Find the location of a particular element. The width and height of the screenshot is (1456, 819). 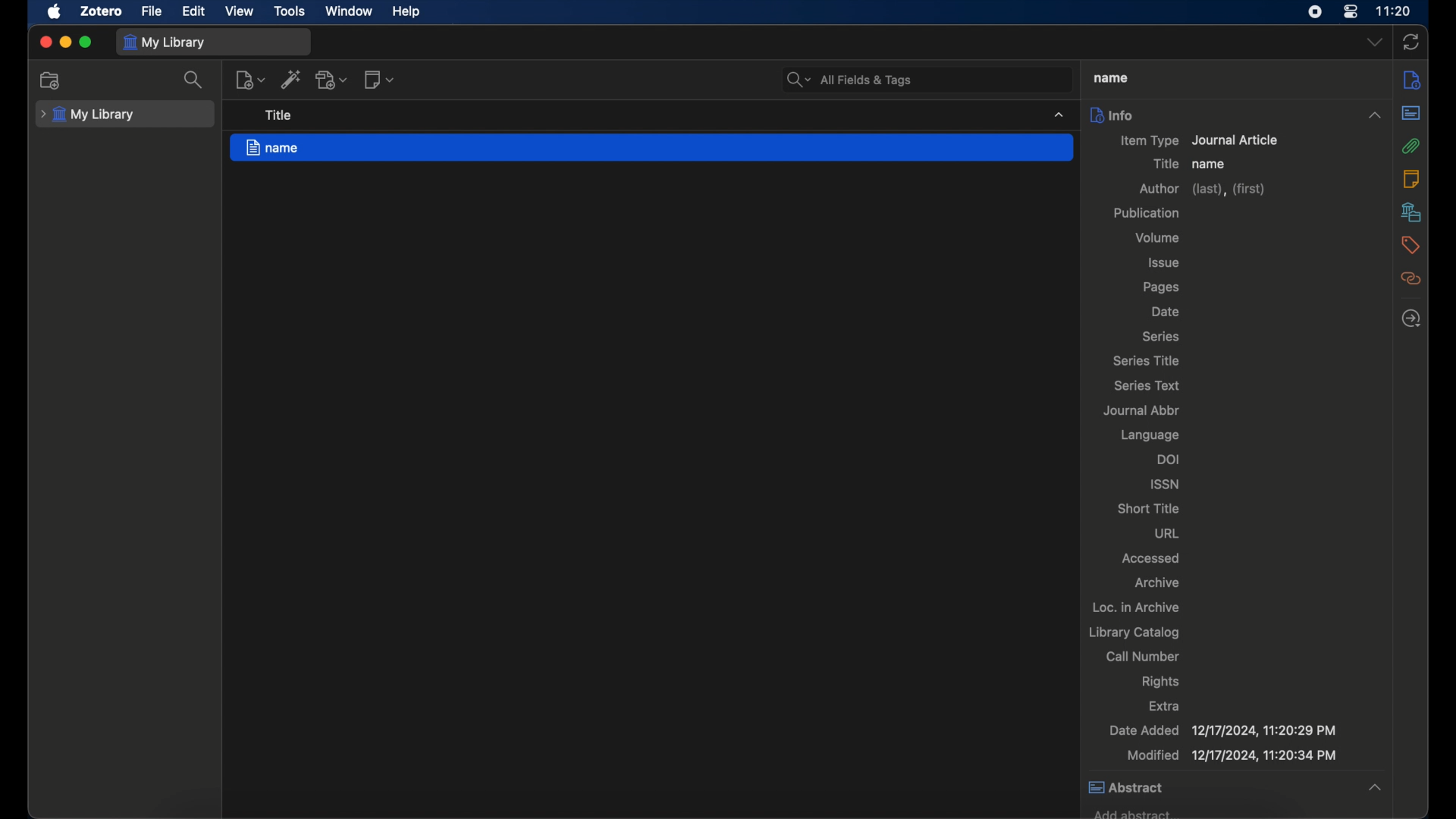

search is located at coordinates (847, 78).